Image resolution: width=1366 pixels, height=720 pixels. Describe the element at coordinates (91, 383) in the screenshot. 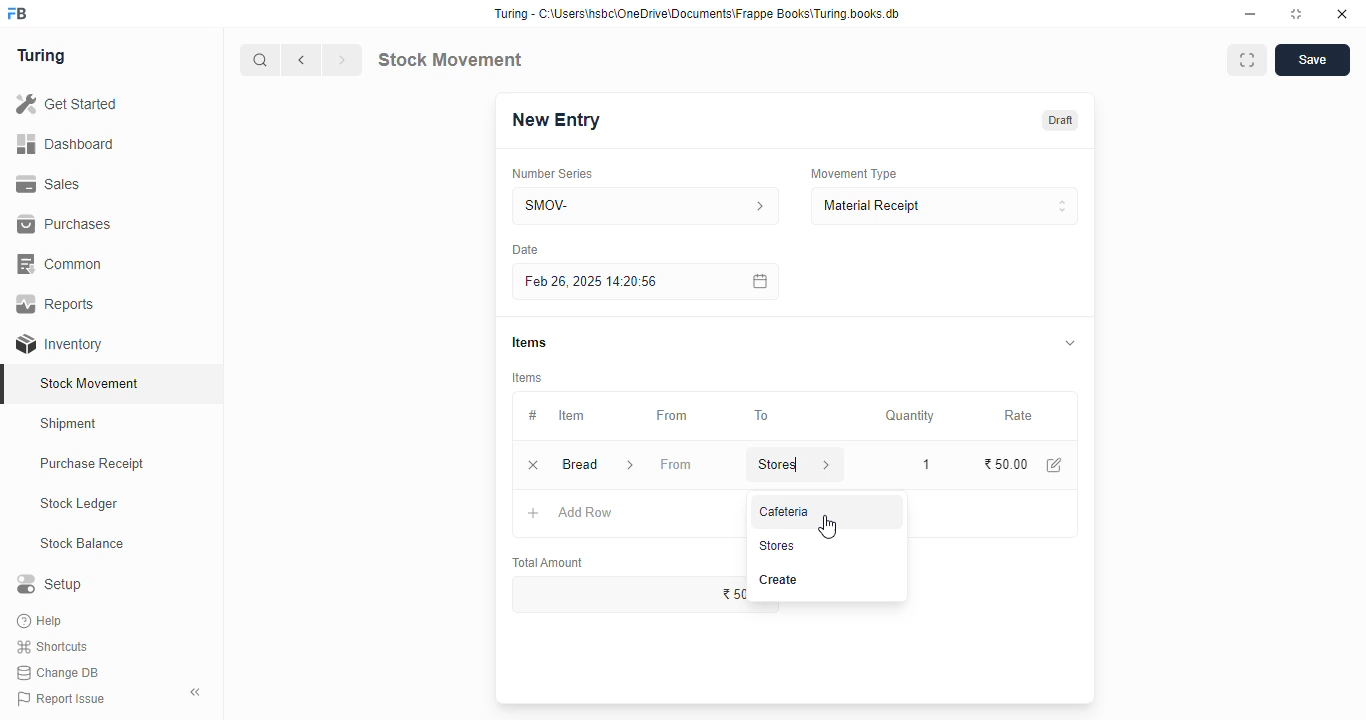

I see `stock movement` at that location.